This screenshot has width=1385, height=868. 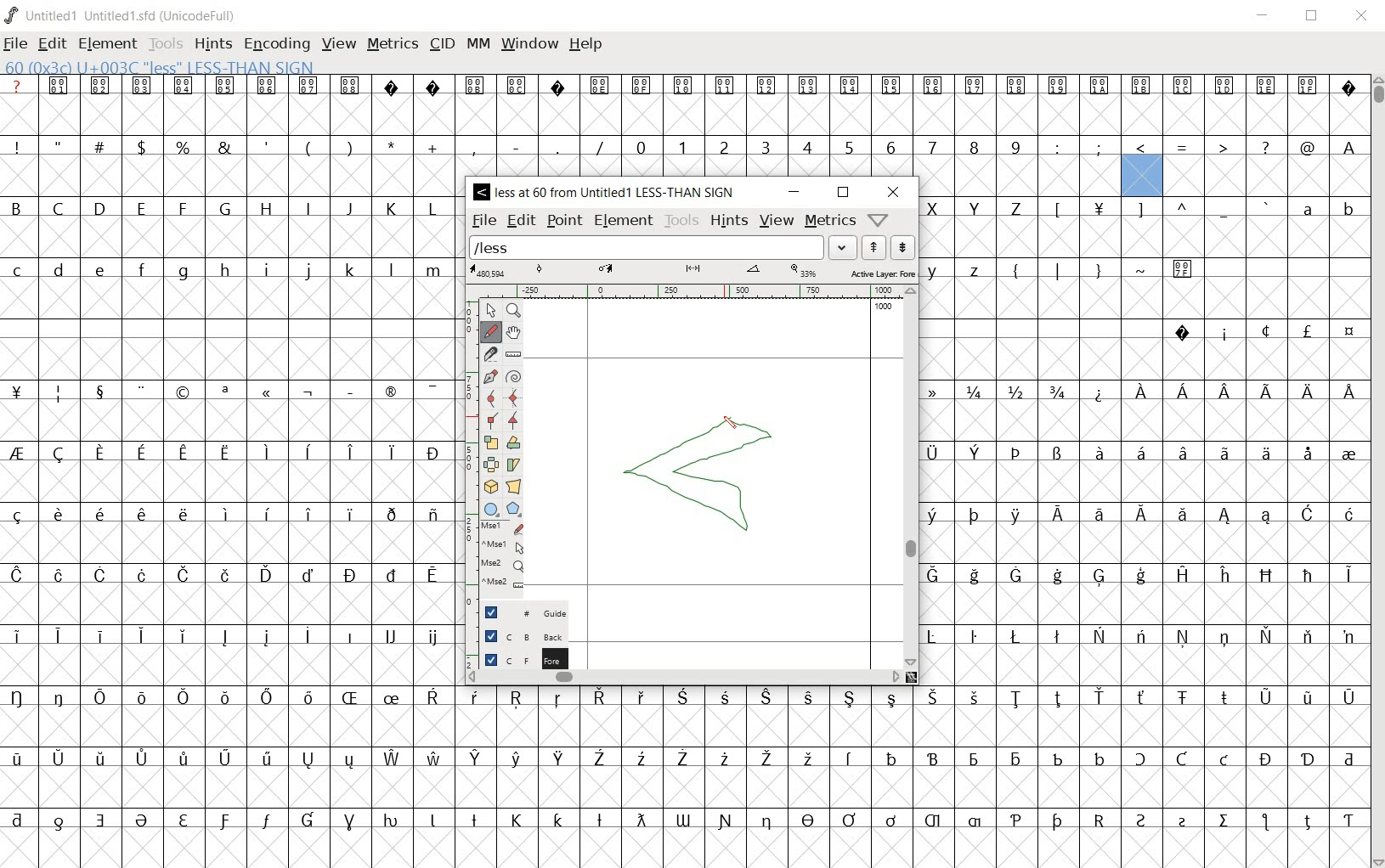 I want to click on empty cells, so click(x=229, y=667).